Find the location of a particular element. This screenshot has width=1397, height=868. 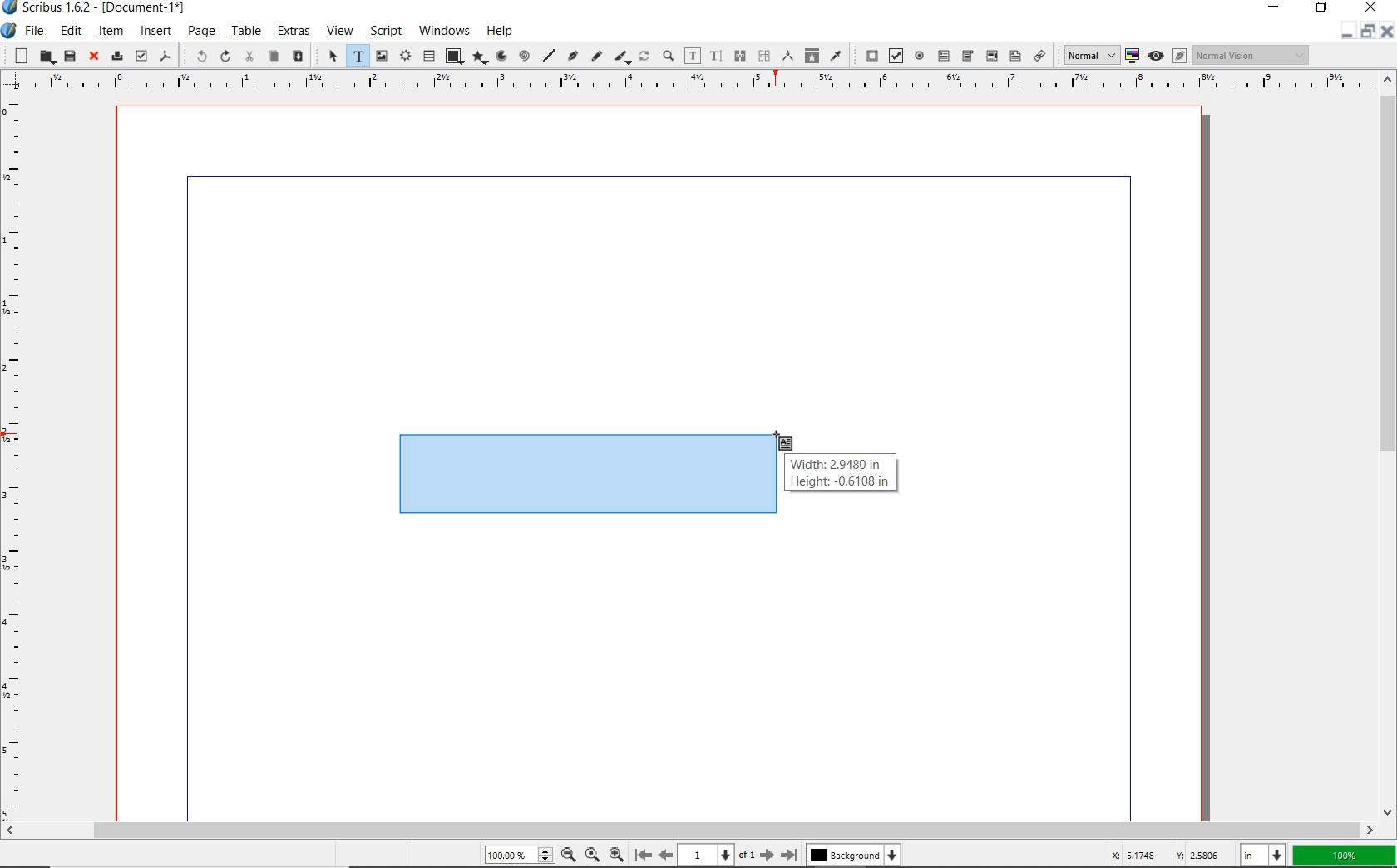

Normal vision is located at coordinates (1251, 56).